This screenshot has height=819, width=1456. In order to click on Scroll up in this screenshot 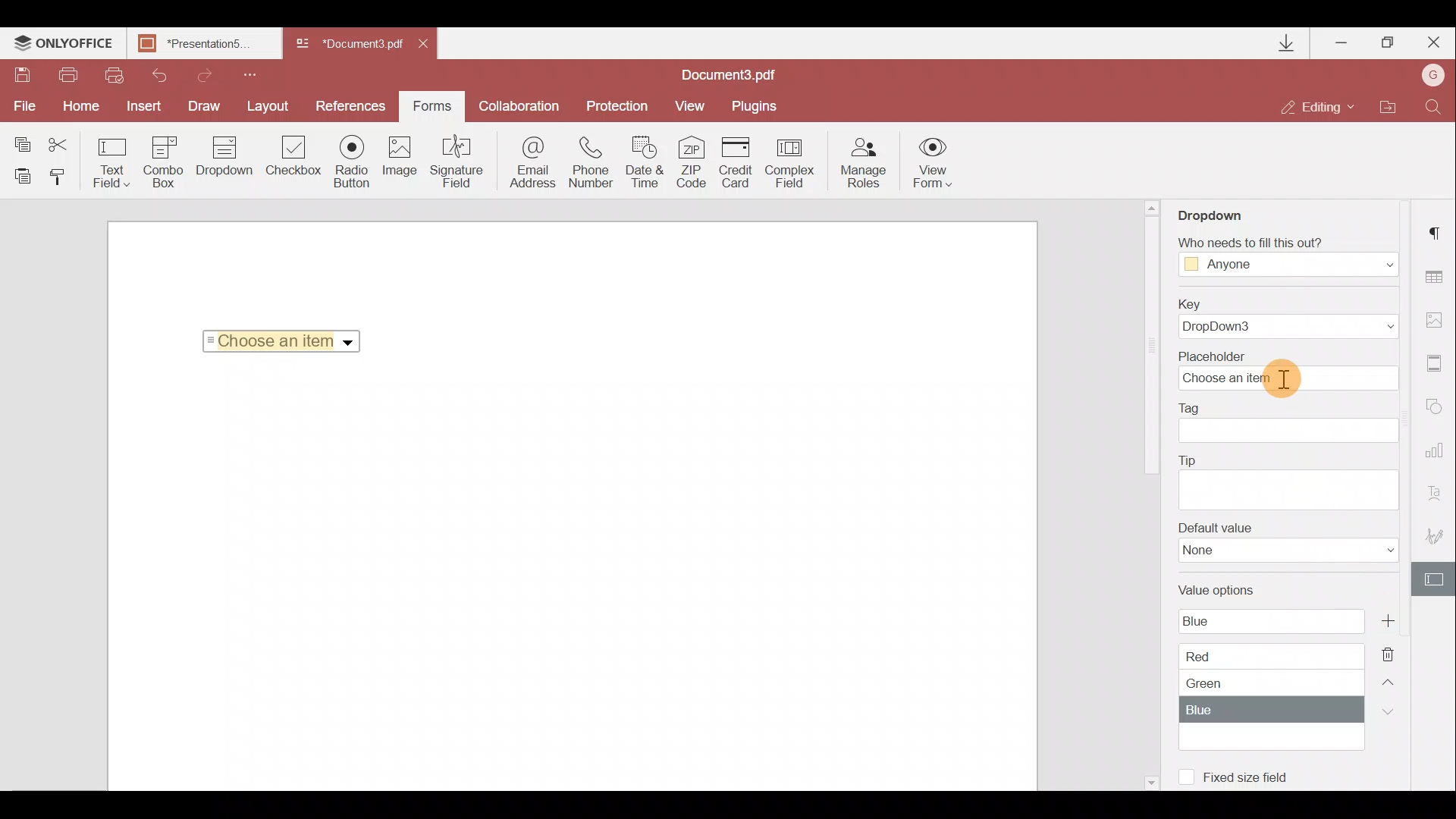, I will do `click(1153, 207)`.